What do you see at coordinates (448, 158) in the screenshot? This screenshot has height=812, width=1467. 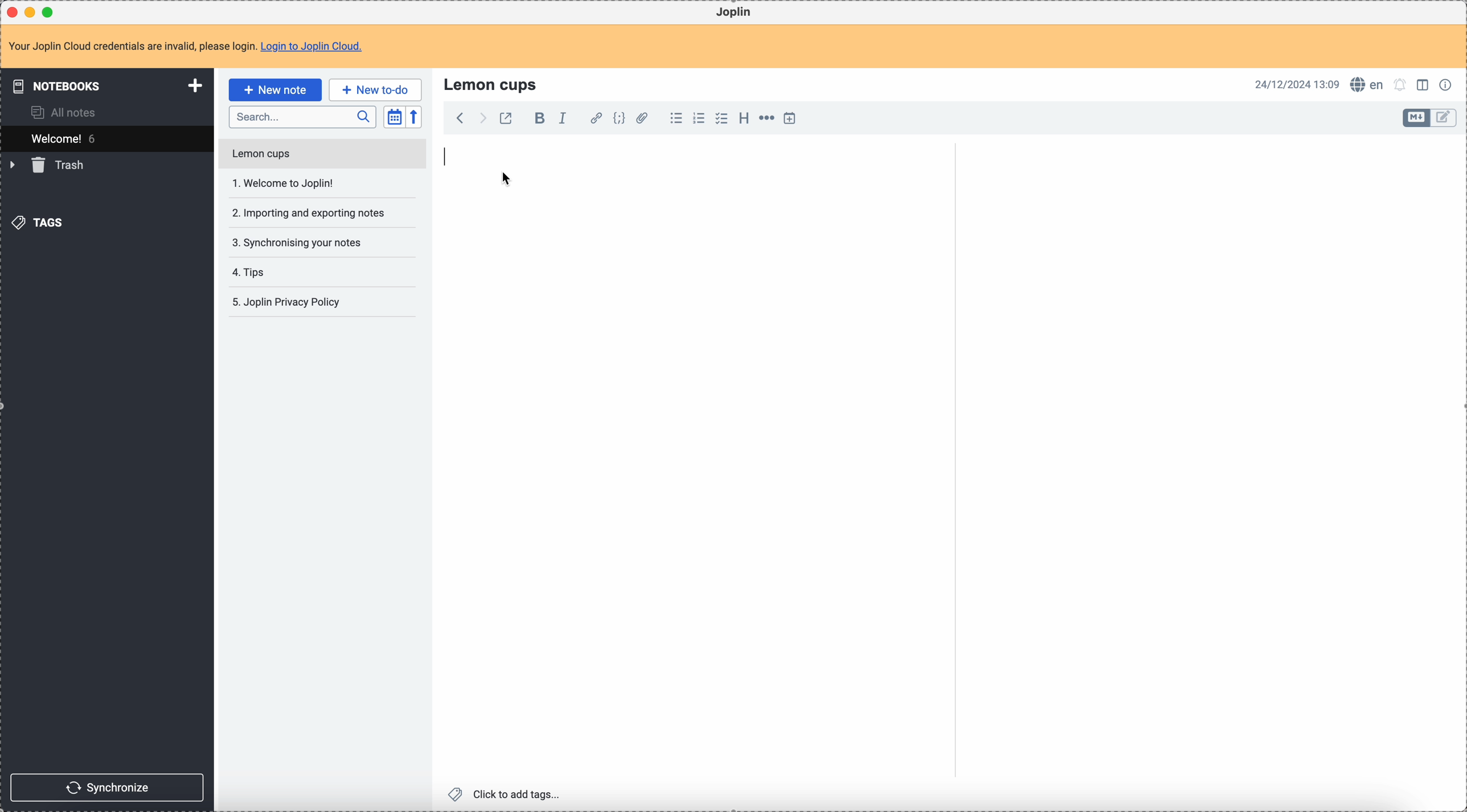 I see `type` at bounding box center [448, 158].